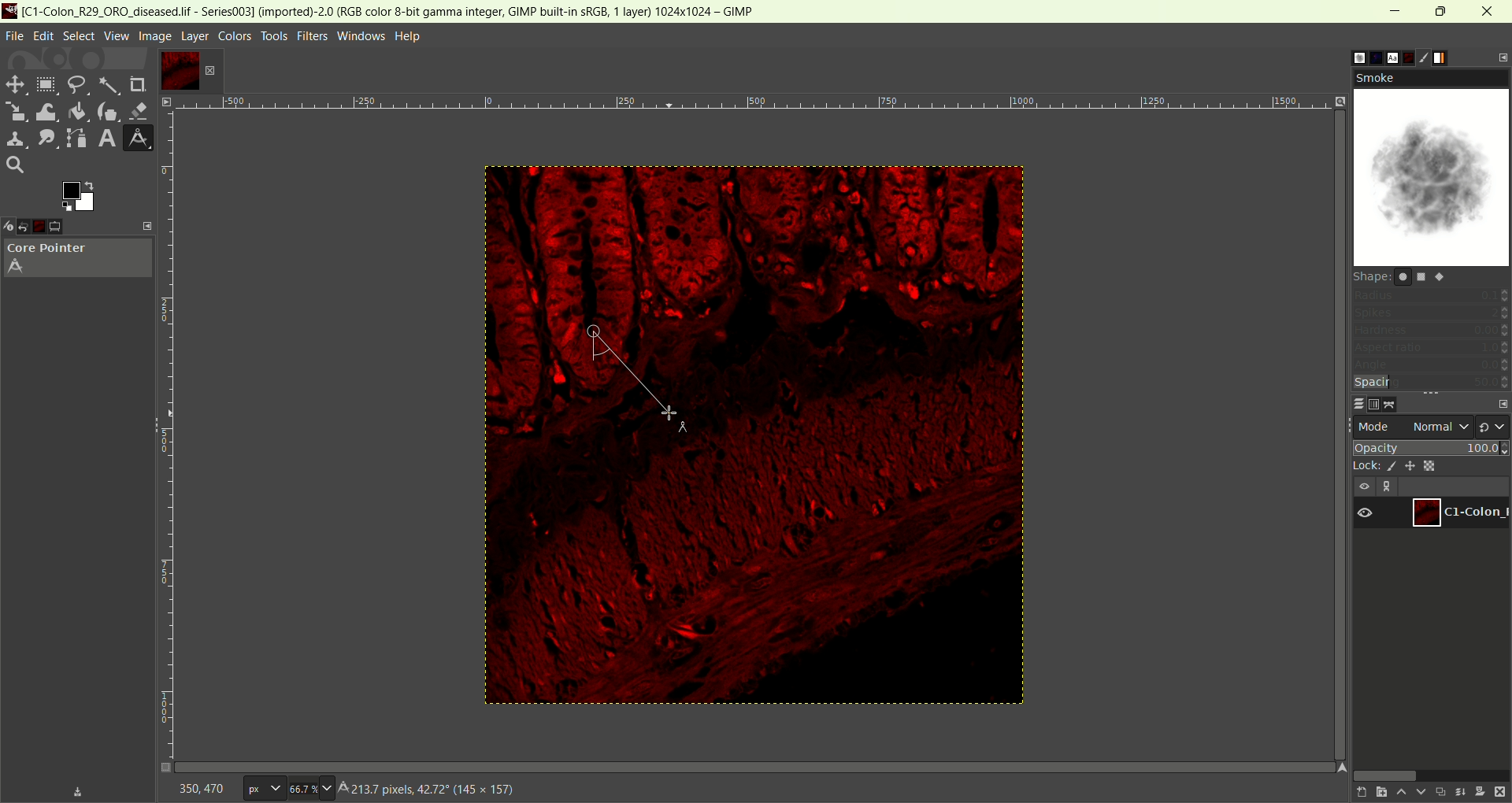 The height and width of the screenshot is (803, 1512). Describe the element at coordinates (199, 787) in the screenshot. I see `coordinate` at that location.